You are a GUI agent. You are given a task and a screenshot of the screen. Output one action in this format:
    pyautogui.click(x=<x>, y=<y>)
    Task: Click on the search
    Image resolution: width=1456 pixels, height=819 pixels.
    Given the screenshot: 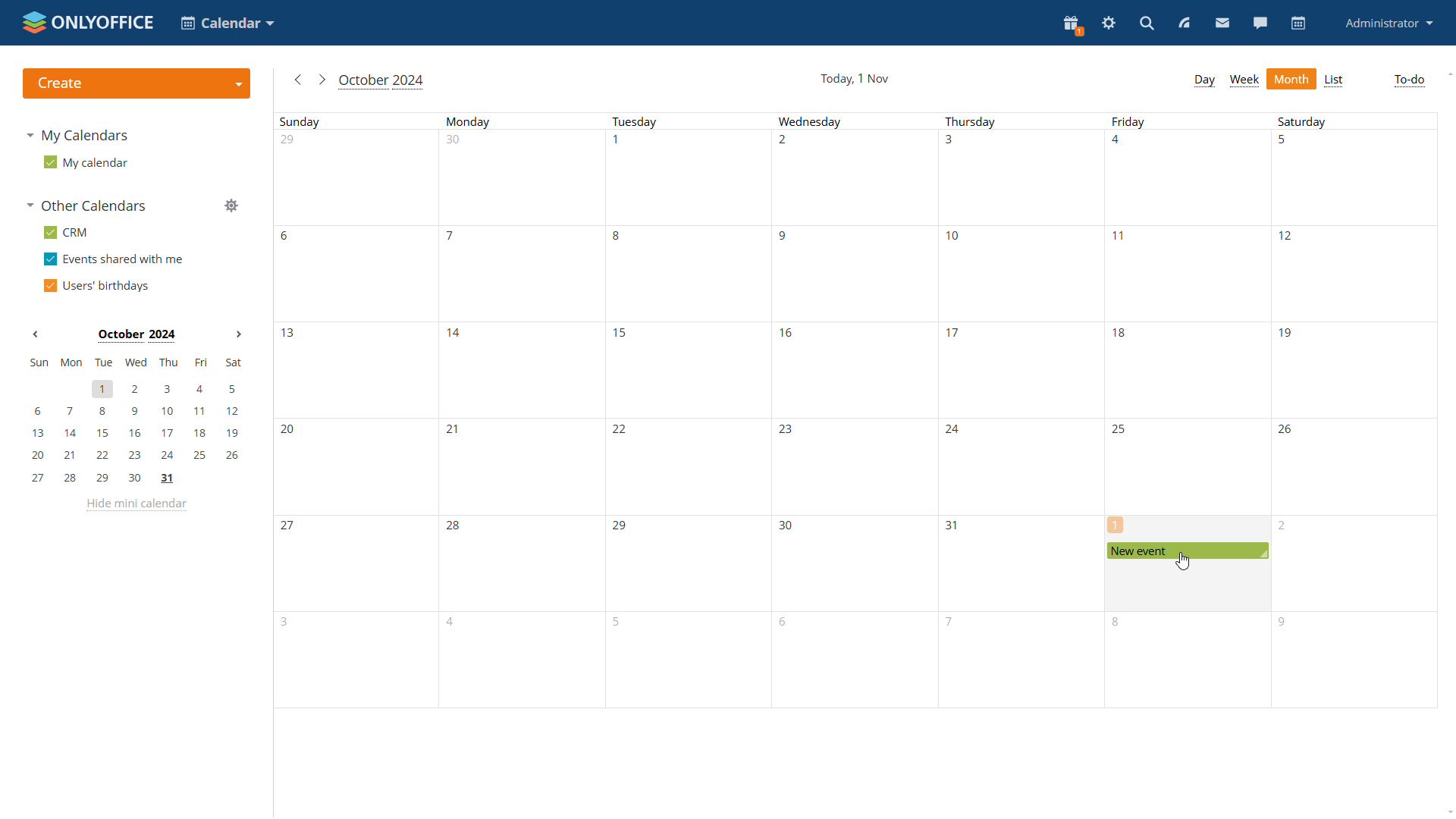 What is the action you would take?
    pyautogui.click(x=1146, y=24)
    